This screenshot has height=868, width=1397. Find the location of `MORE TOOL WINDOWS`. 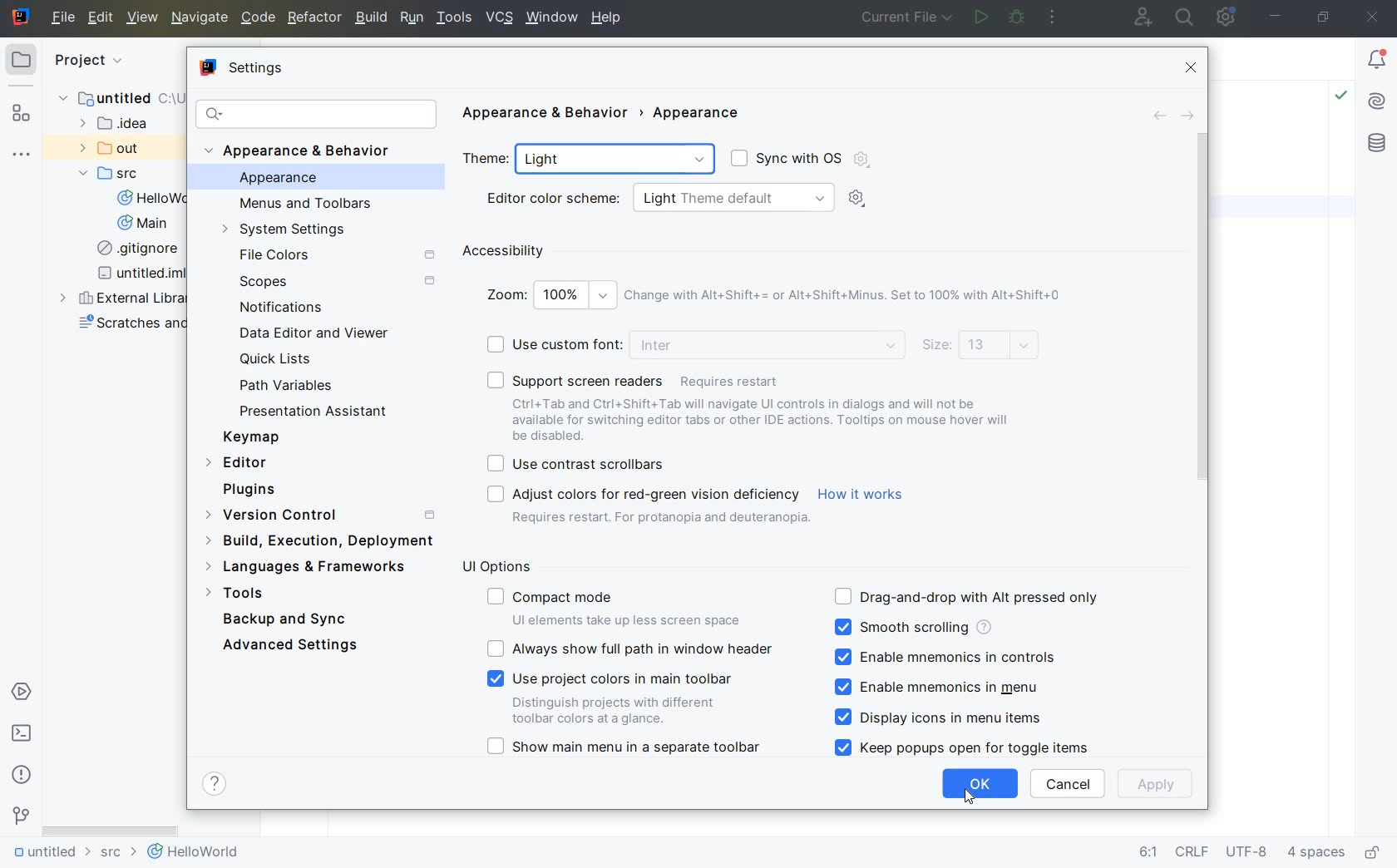

MORE TOOL WINDOWS is located at coordinates (20, 155).